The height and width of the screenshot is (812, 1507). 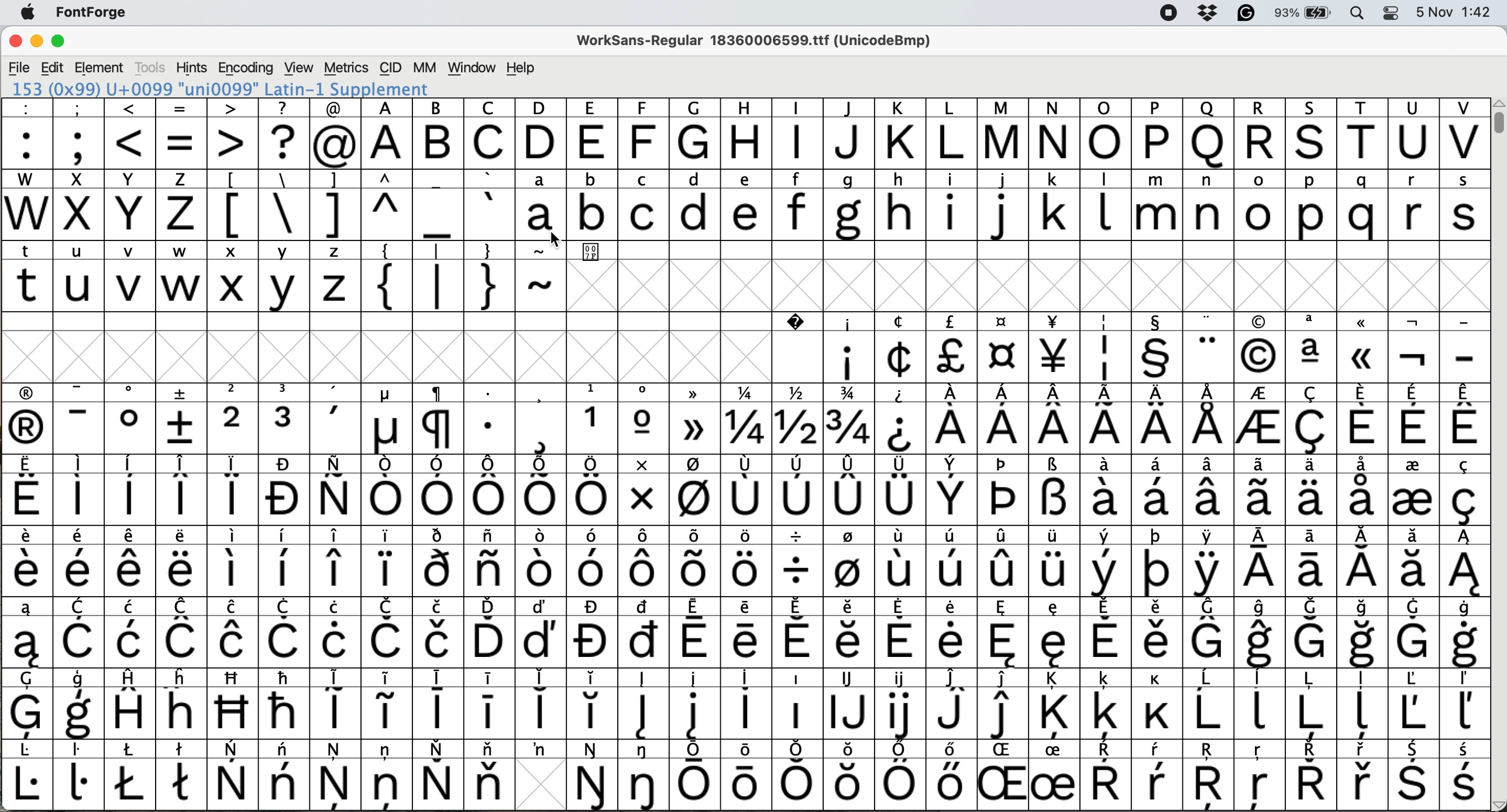 What do you see at coordinates (1412, 205) in the screenshot?
I see `r` at bounding box center [1412, 205].